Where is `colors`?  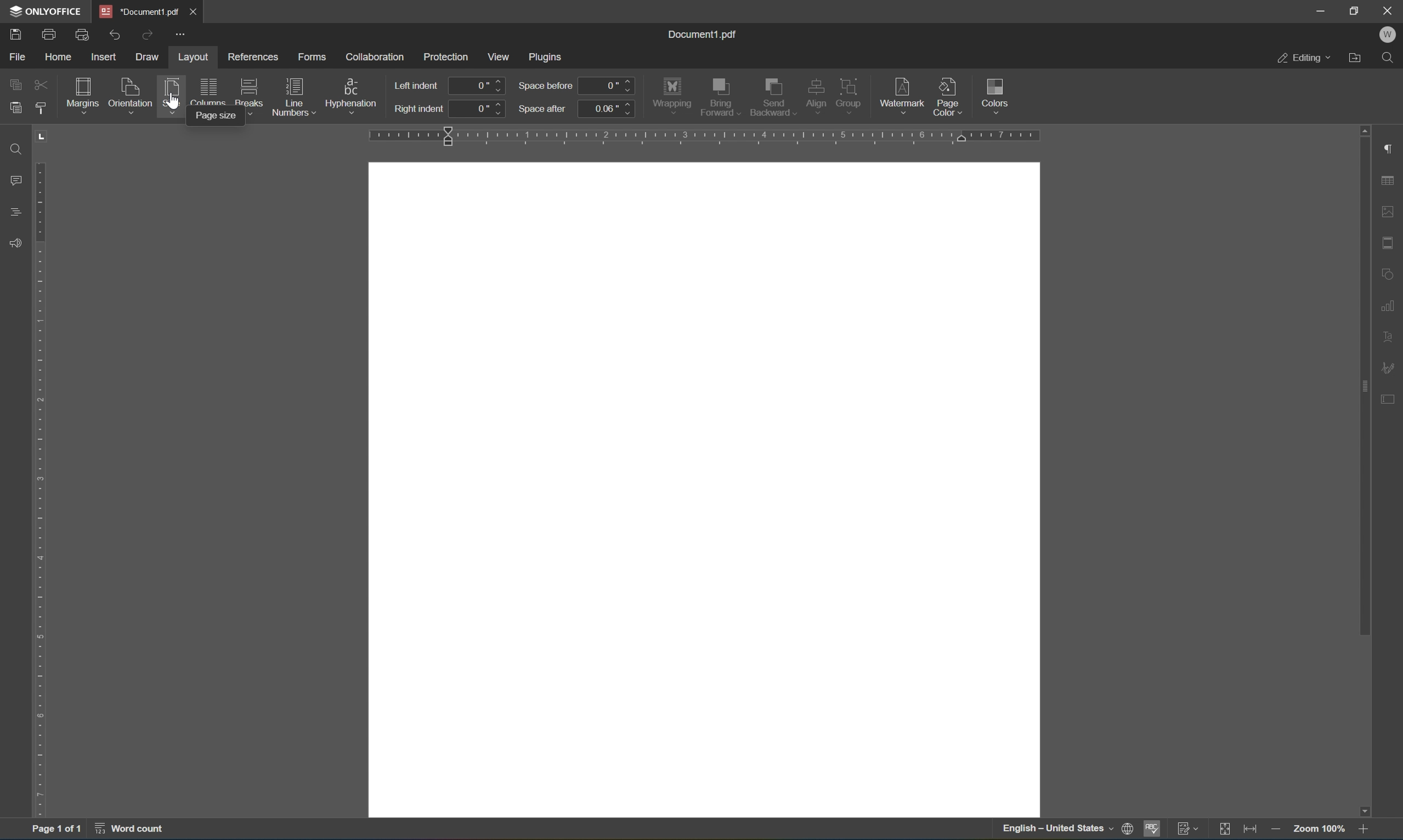
colors is located at coordinates (998, 95).